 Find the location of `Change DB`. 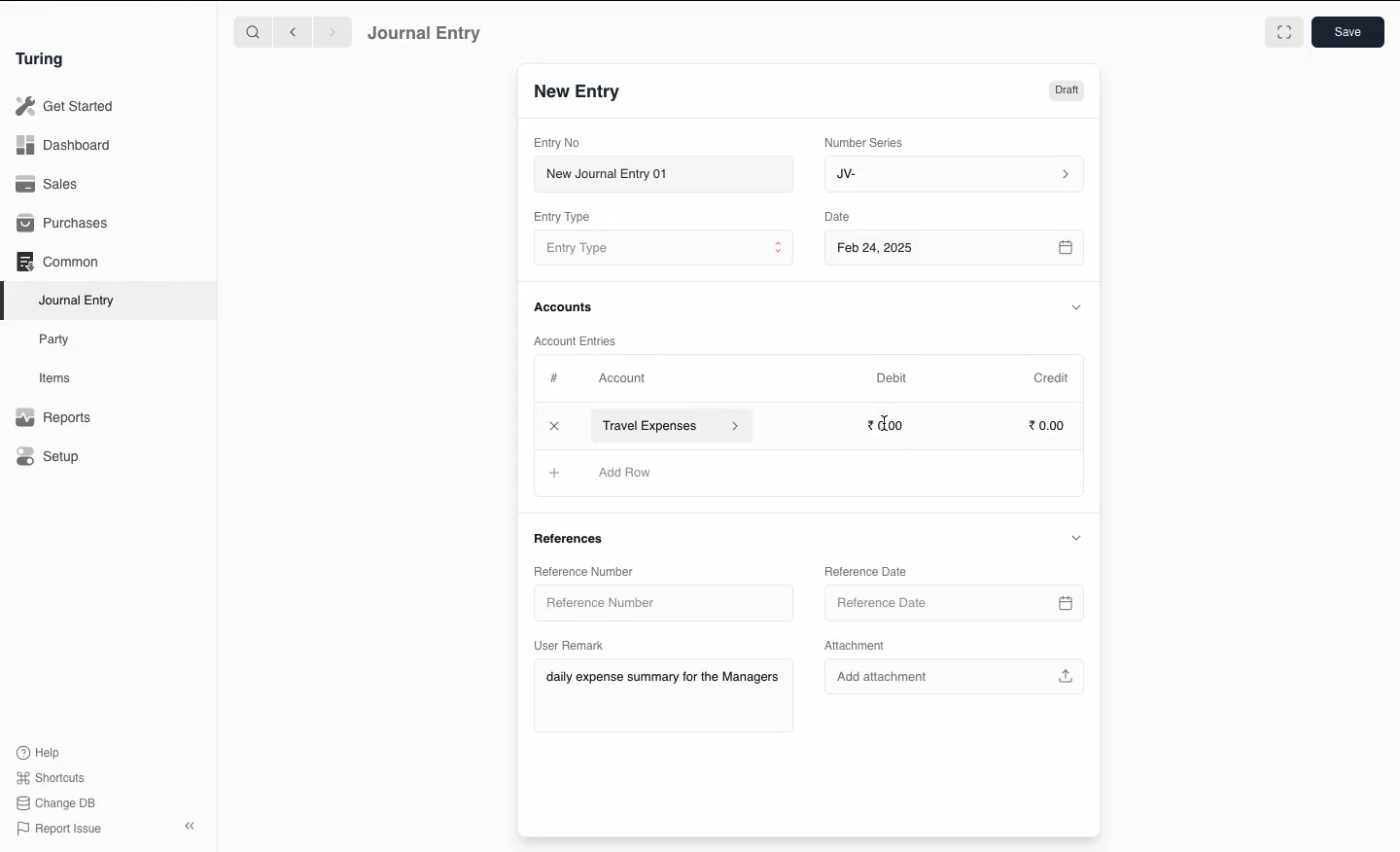

Change DB is located at coordinates (55, 803).